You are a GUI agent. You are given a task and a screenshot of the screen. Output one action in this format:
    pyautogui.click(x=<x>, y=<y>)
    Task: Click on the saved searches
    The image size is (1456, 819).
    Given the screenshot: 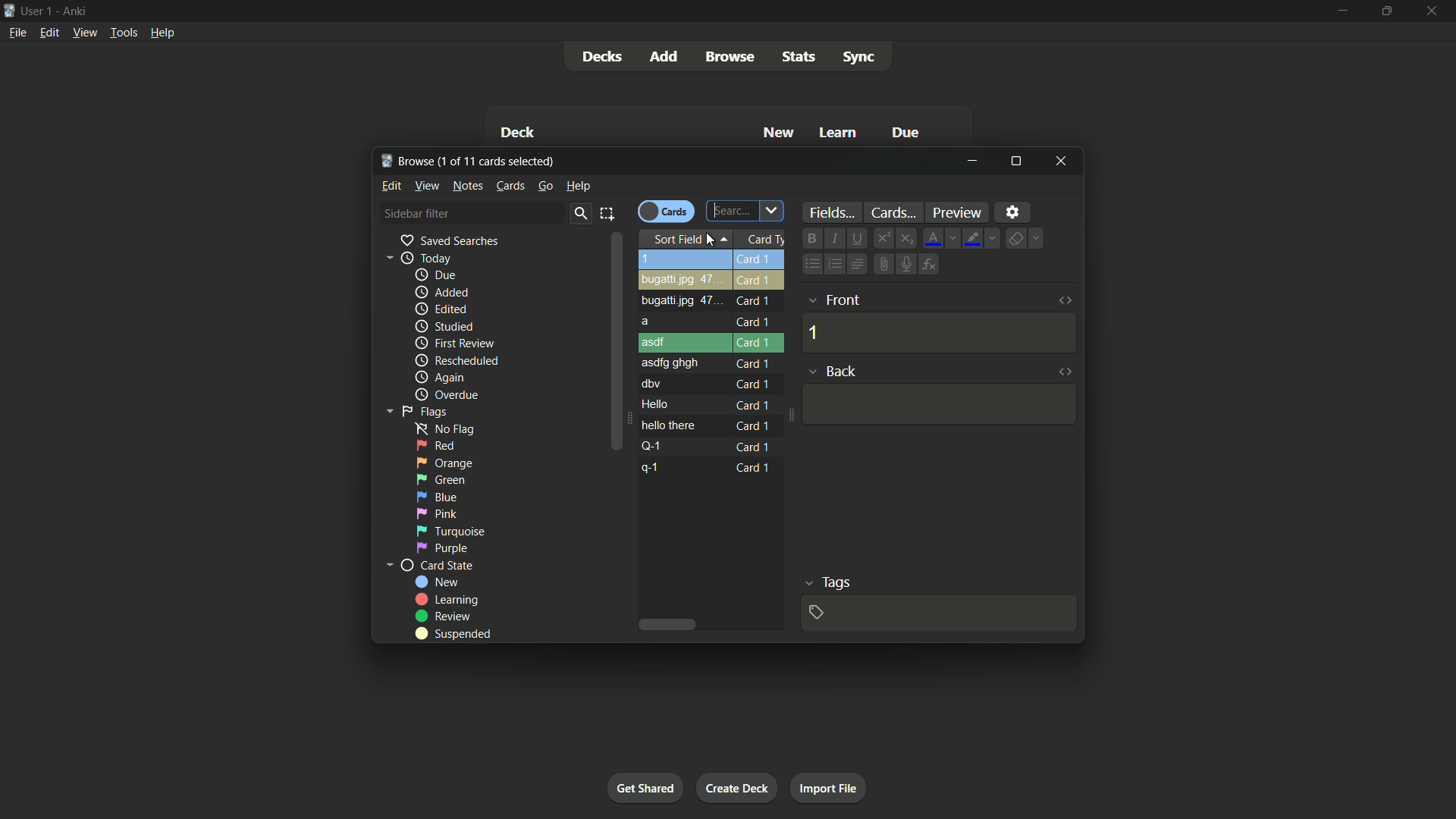 What is the action you would take?
    pyautogui.click(x=449, y=240)
    